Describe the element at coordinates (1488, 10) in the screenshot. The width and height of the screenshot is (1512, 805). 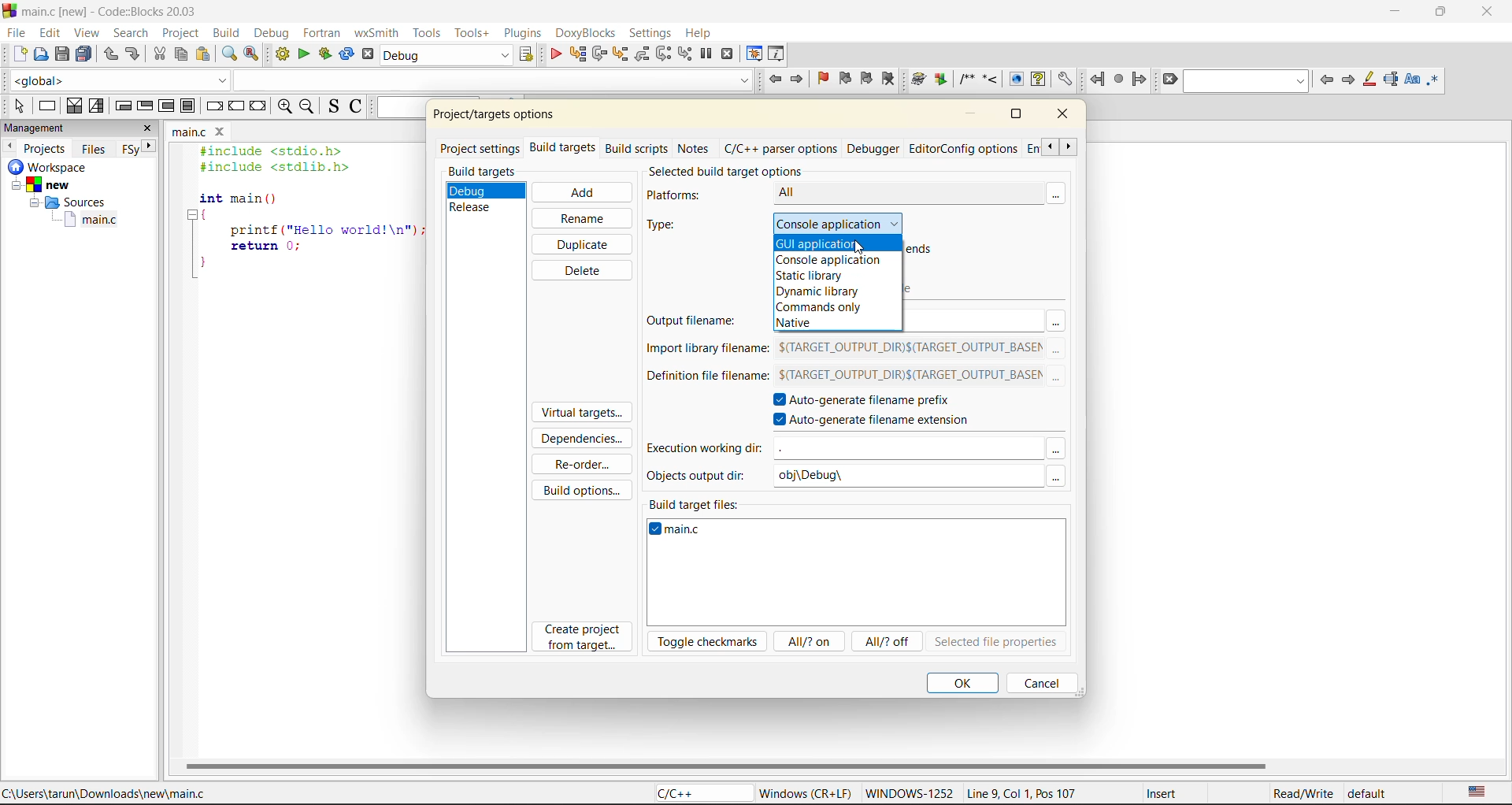
I see `close` at that location.